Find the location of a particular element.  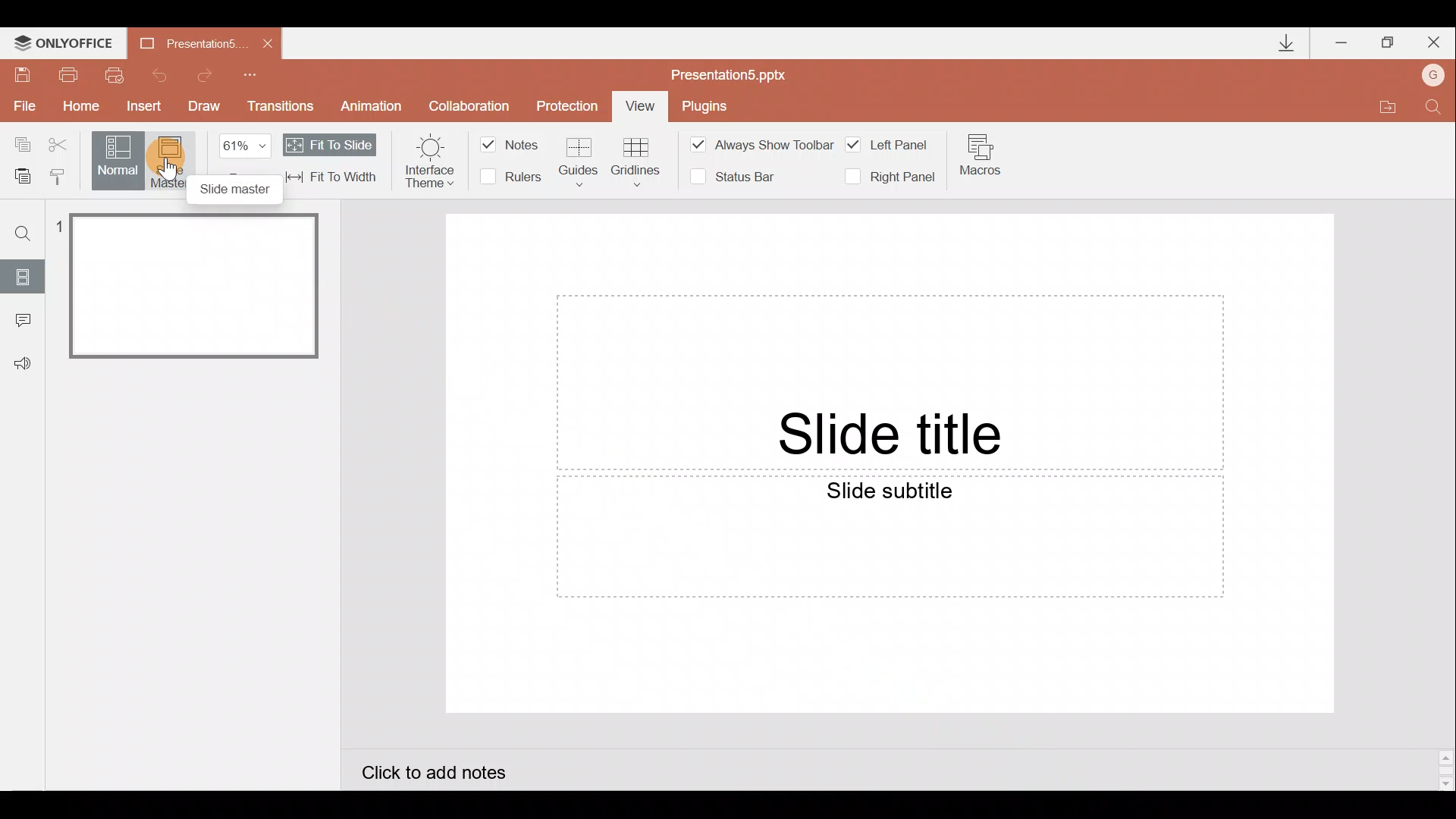

Notes is located at coordinates (509, 146).